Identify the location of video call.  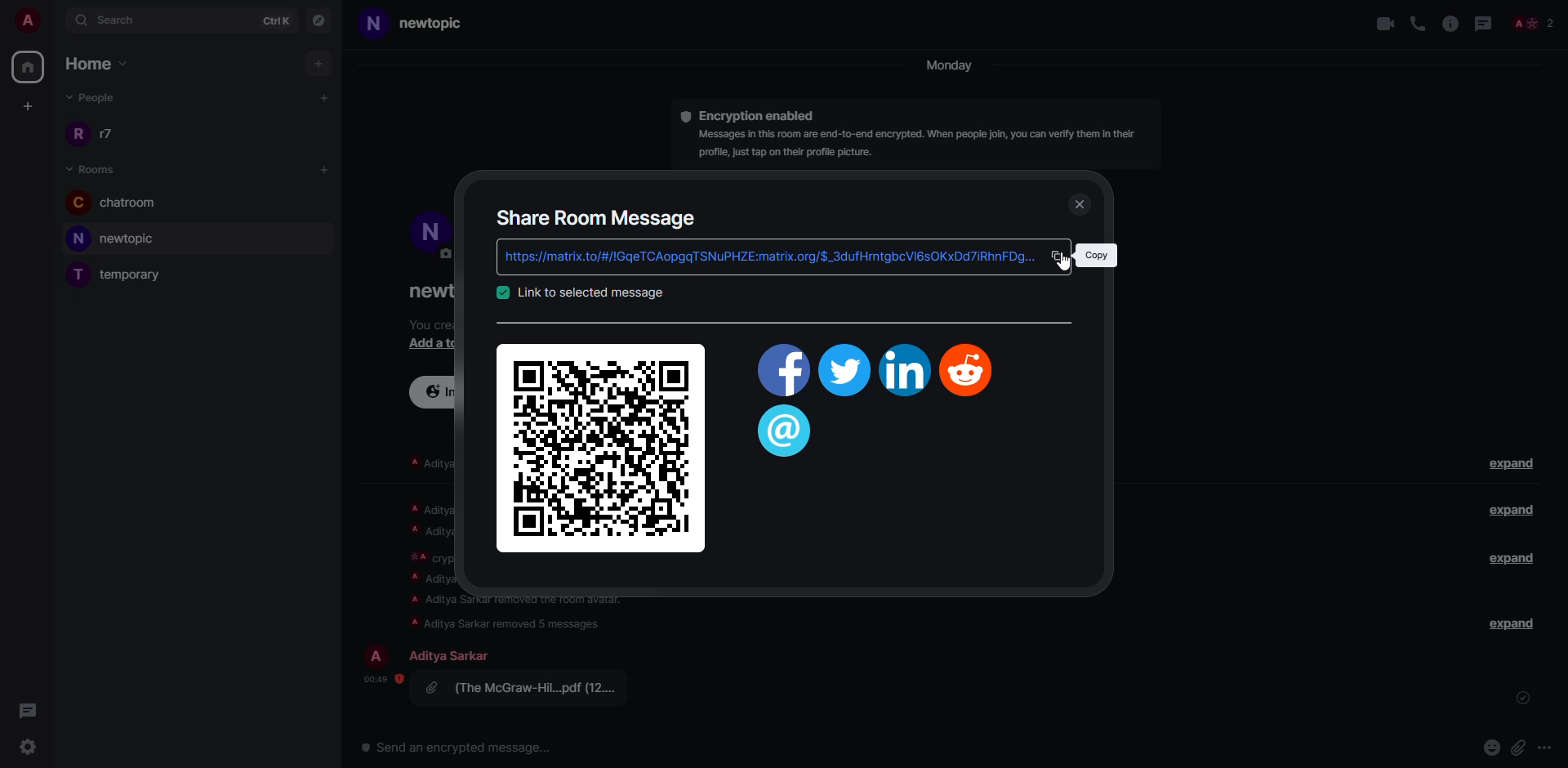
(1383, 23).